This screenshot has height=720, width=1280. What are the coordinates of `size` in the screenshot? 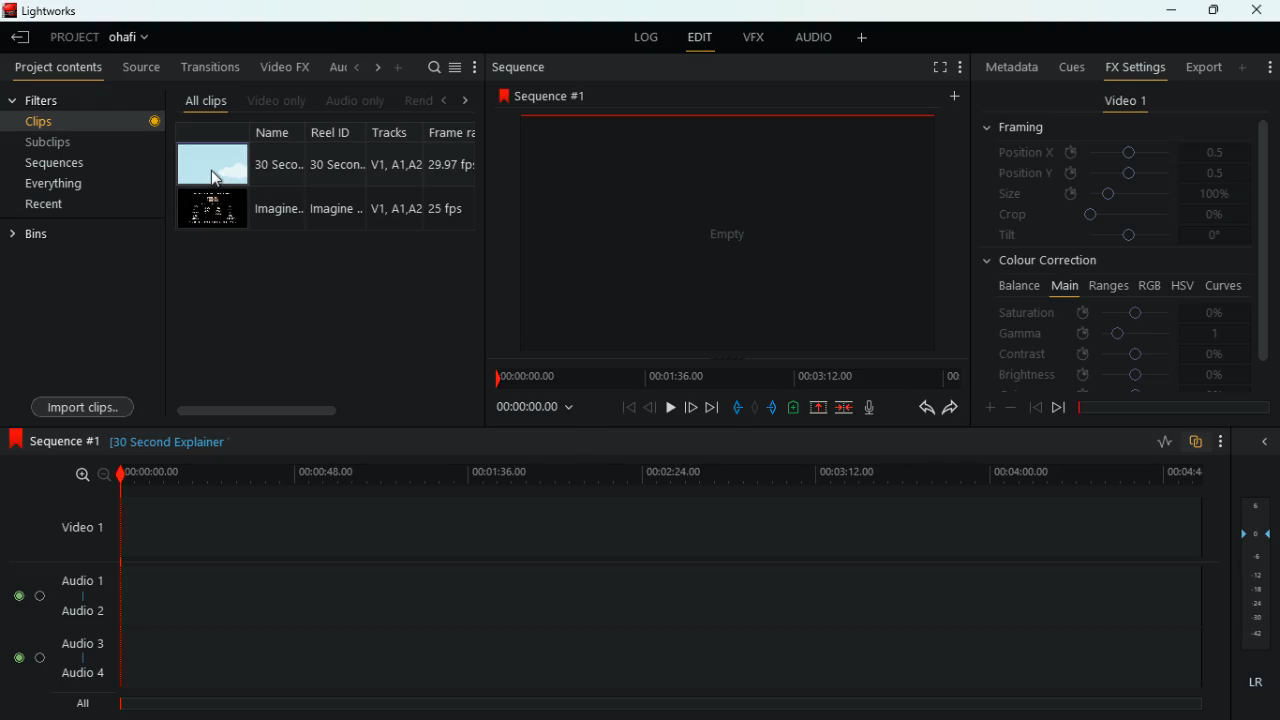 It's located at (1114, 195).